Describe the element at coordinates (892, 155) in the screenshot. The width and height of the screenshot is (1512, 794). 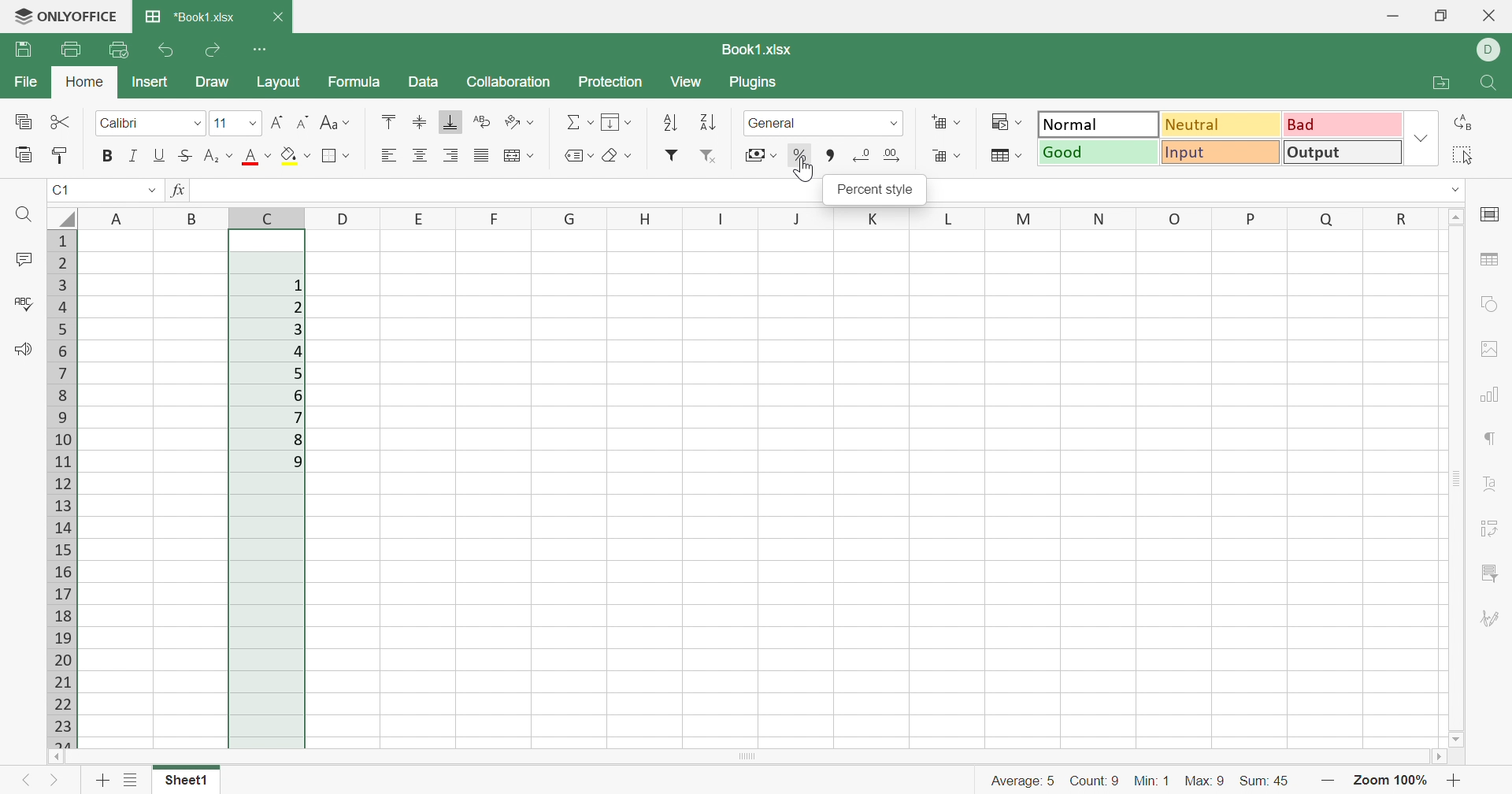
I see `Increase decimals` at that location.